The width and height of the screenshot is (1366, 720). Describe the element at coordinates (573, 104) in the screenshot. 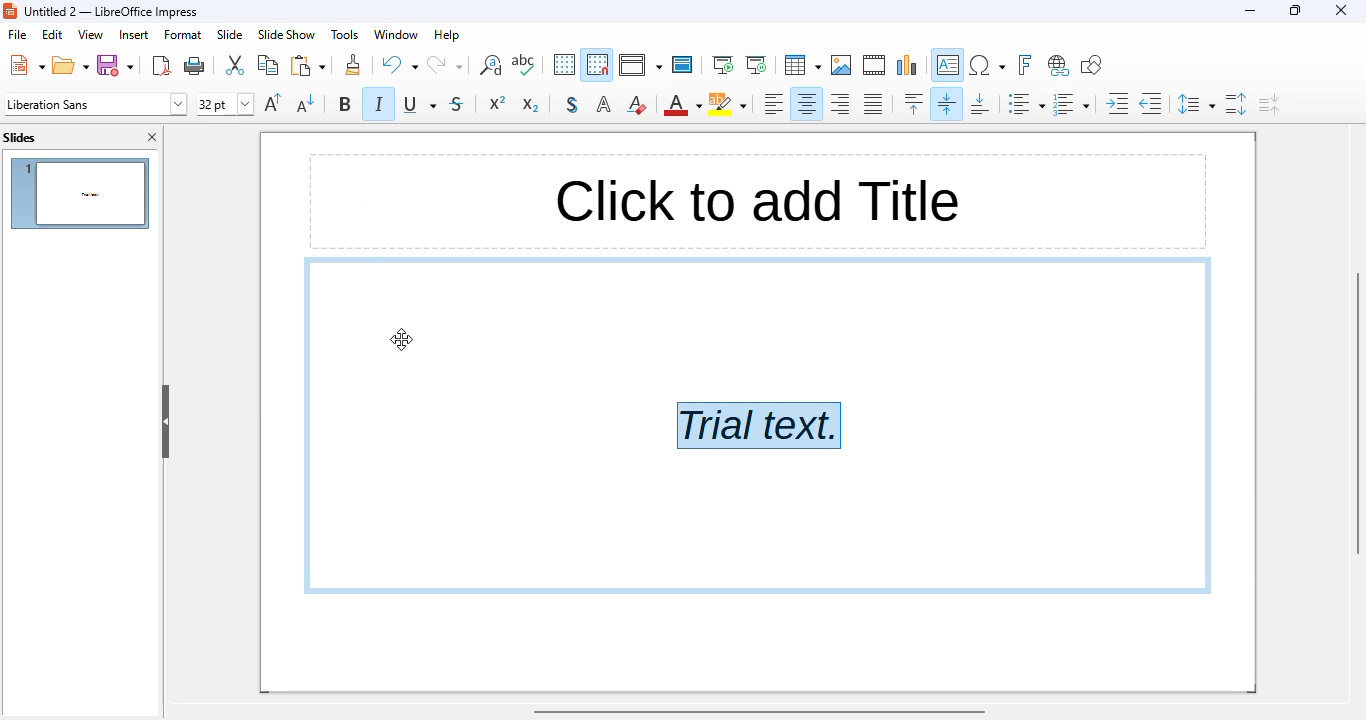

I see `toggle shadow` at that location.